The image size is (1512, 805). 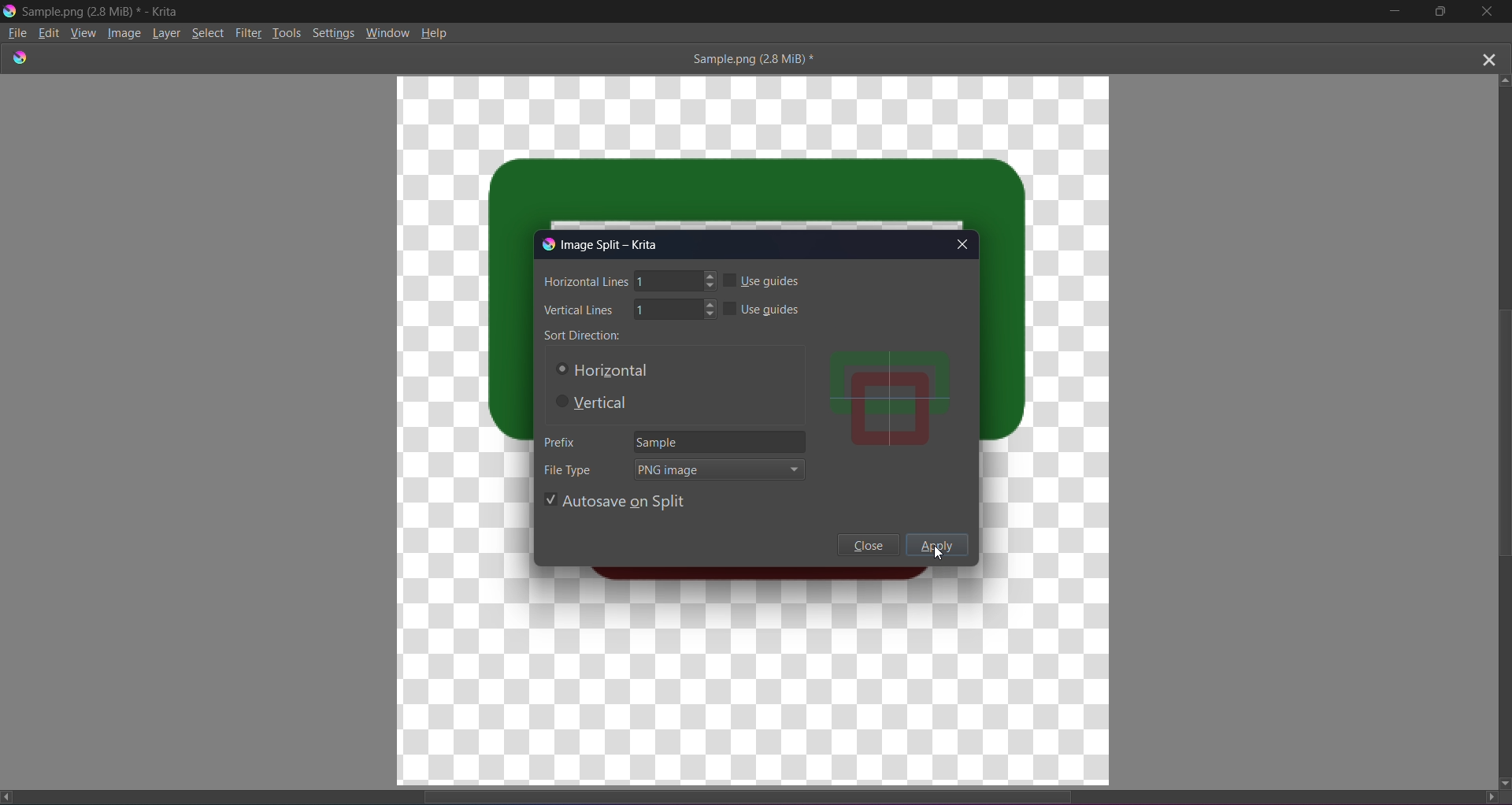 What do you see at coordinates (1485, 796) in the screenshot?
I see `Scroll right` at bounding box center [1485, 796].